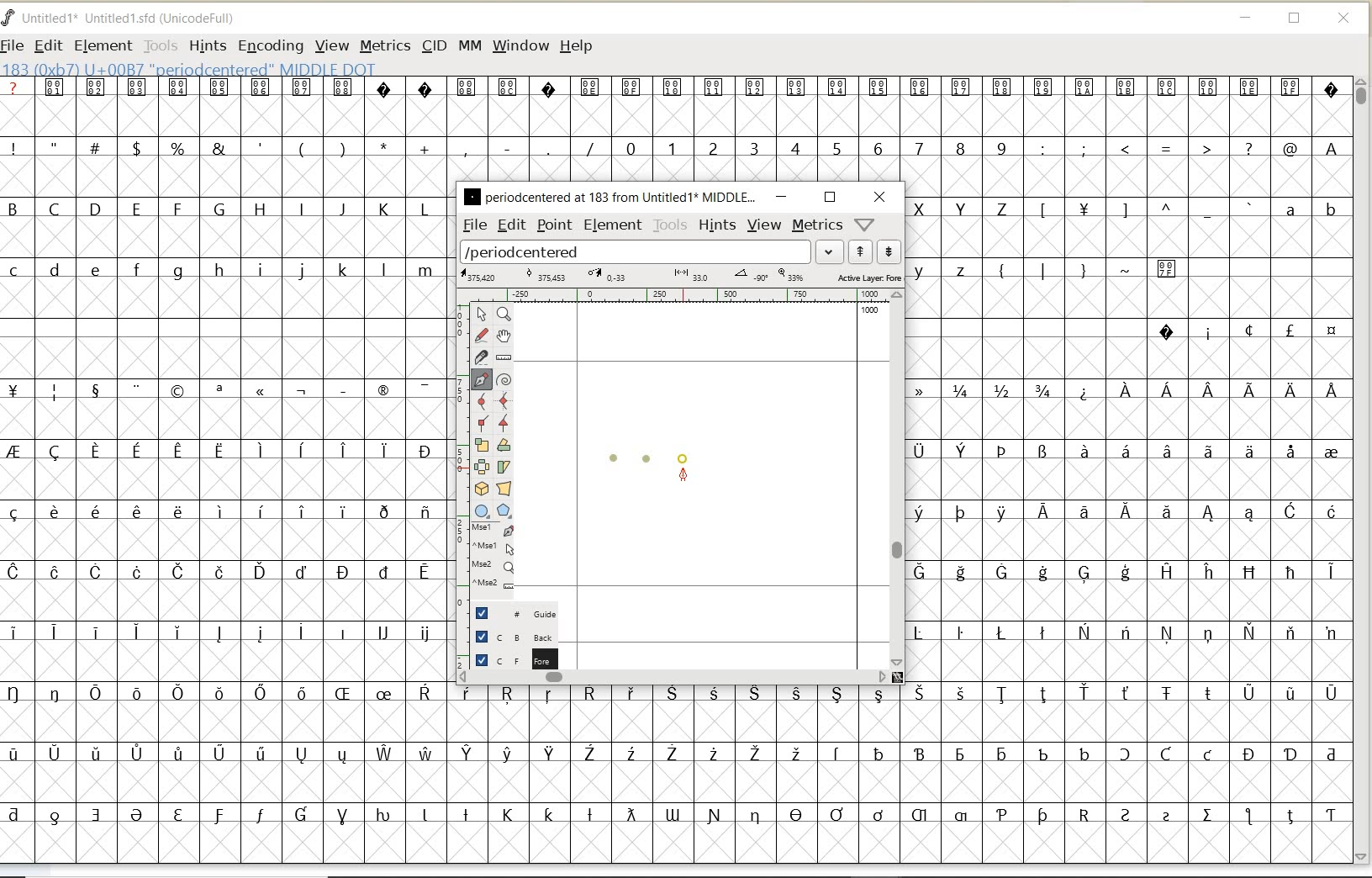  What do you see at coordinates (1143, 211) in the screenshot?
I see `` at bounding box center [1143, 211].